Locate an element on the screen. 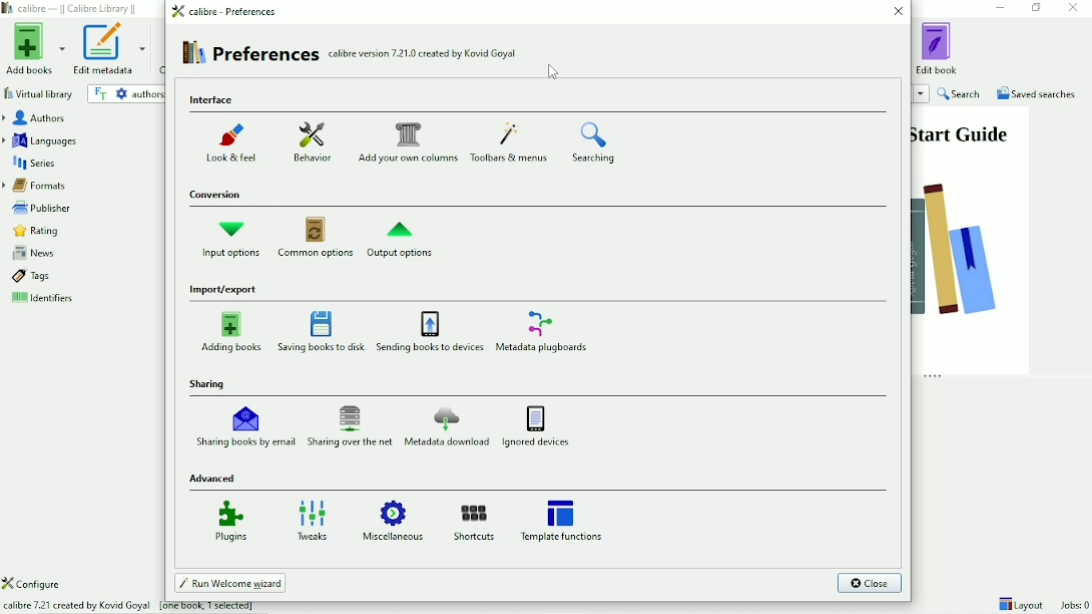 Image resolution: width=1092 pixels, height=614 pixels. Jobs is located at coordinates (1073, 605).